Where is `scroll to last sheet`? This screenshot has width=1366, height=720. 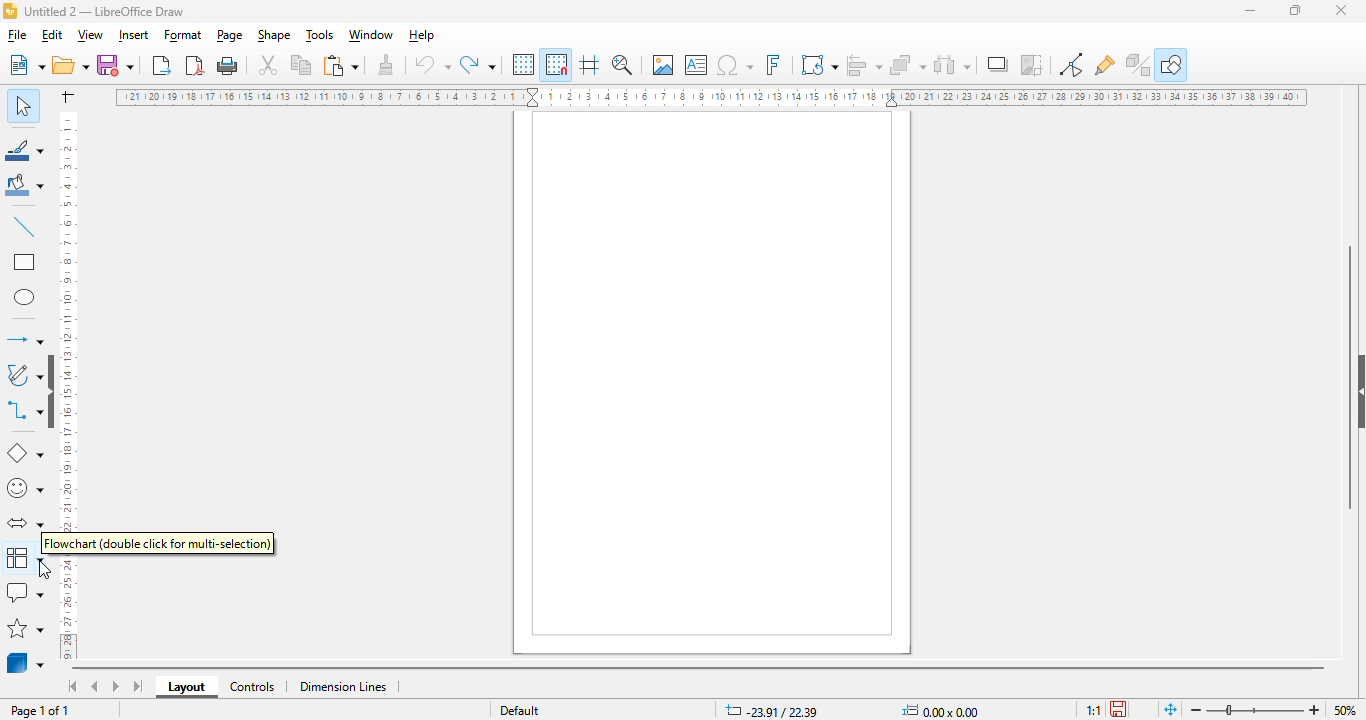 scroll to last sheet is located at coordinates (138, 686).